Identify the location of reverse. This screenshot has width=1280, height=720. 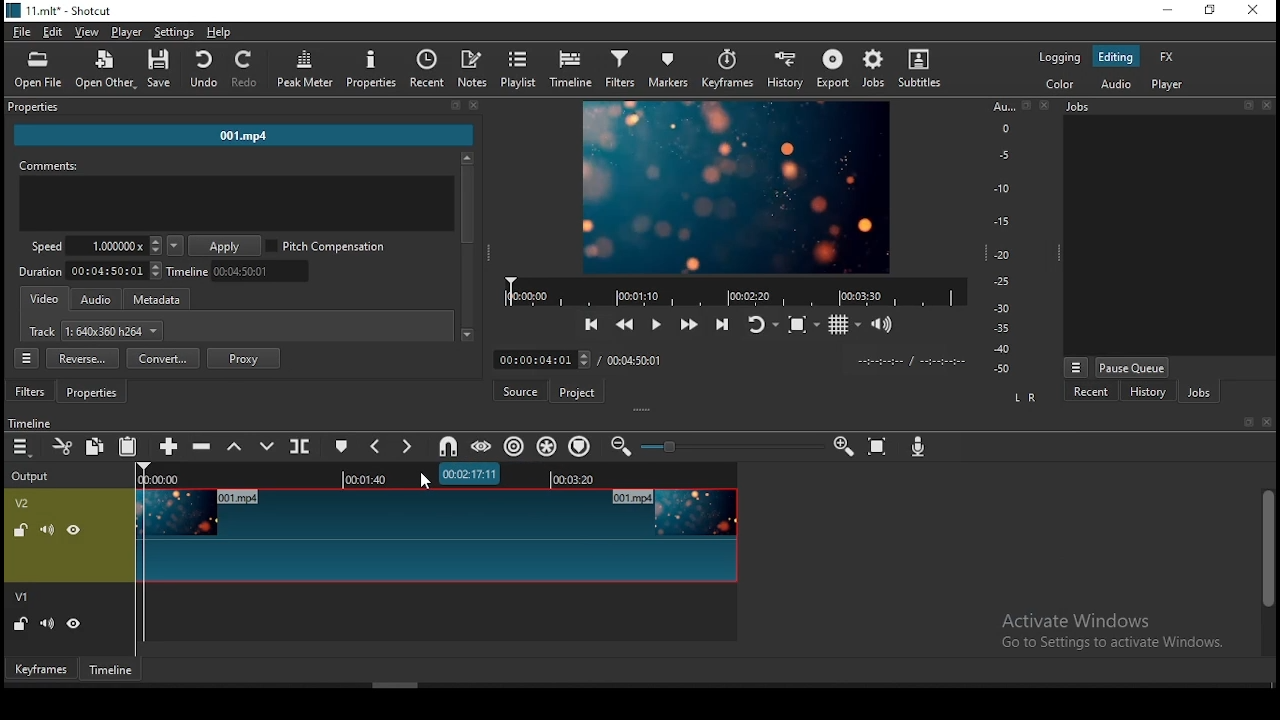
(82, 359).